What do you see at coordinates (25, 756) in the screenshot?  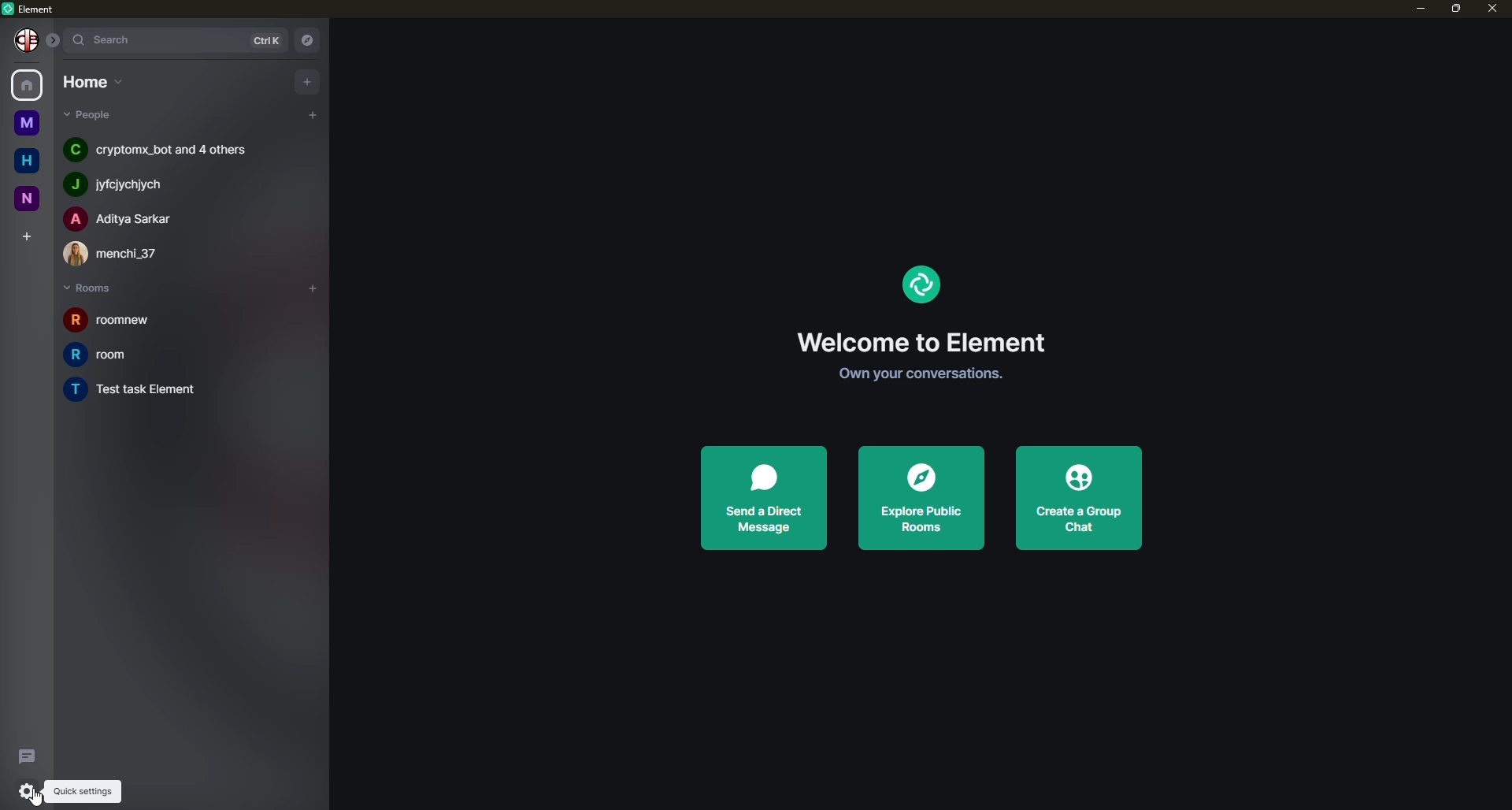 I see `threads` at bounding box center [25, 756].